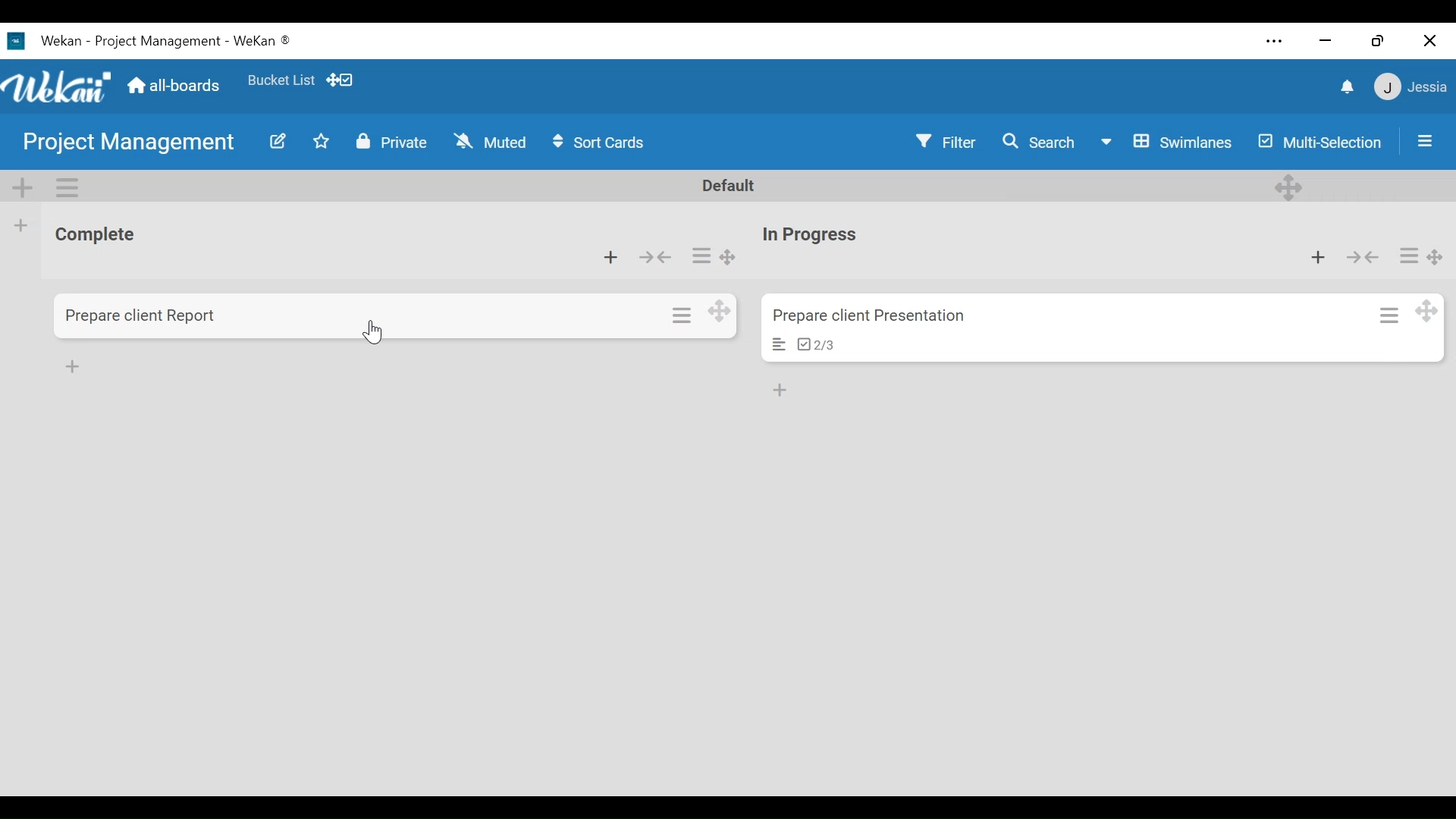 Image resolution: width=1456 pixels, height=819 pixels. Describe the element at coordinates (1323, 256) in the screenshot. I see `Add card to the top of the list` at that location.